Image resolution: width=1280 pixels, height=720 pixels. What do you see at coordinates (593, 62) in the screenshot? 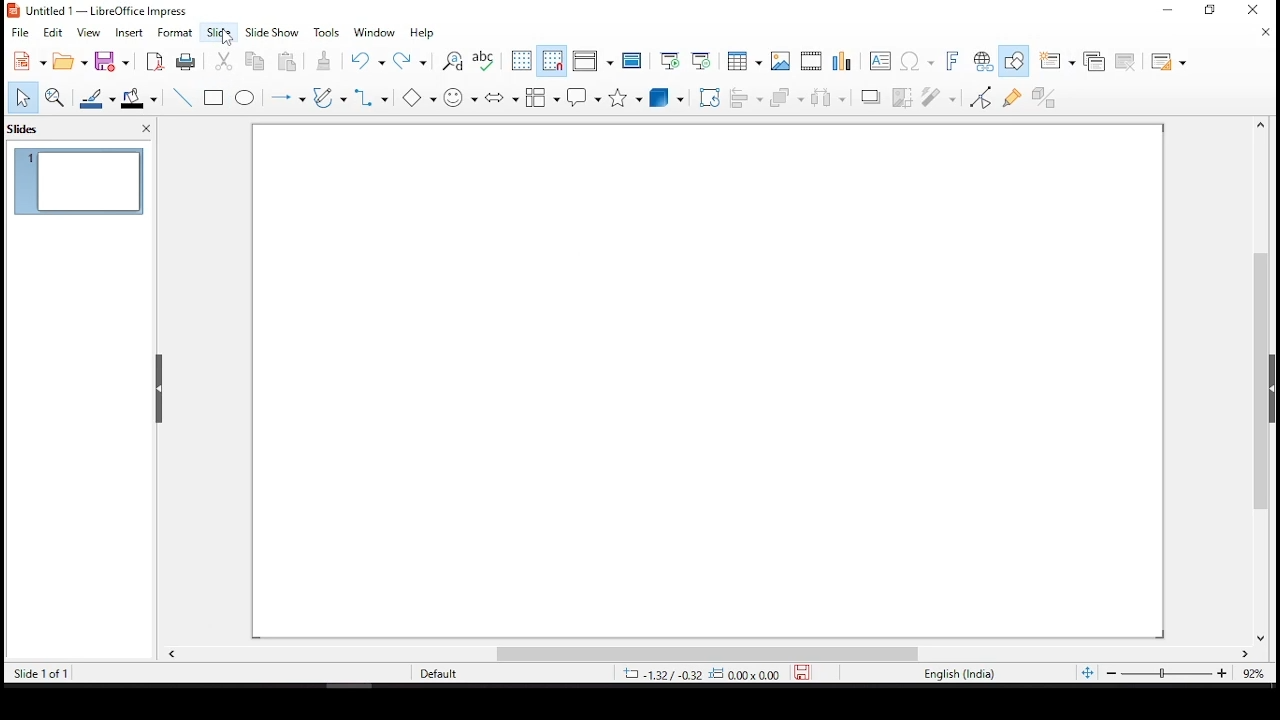
I see `display views` at bounding box center [593, 62].